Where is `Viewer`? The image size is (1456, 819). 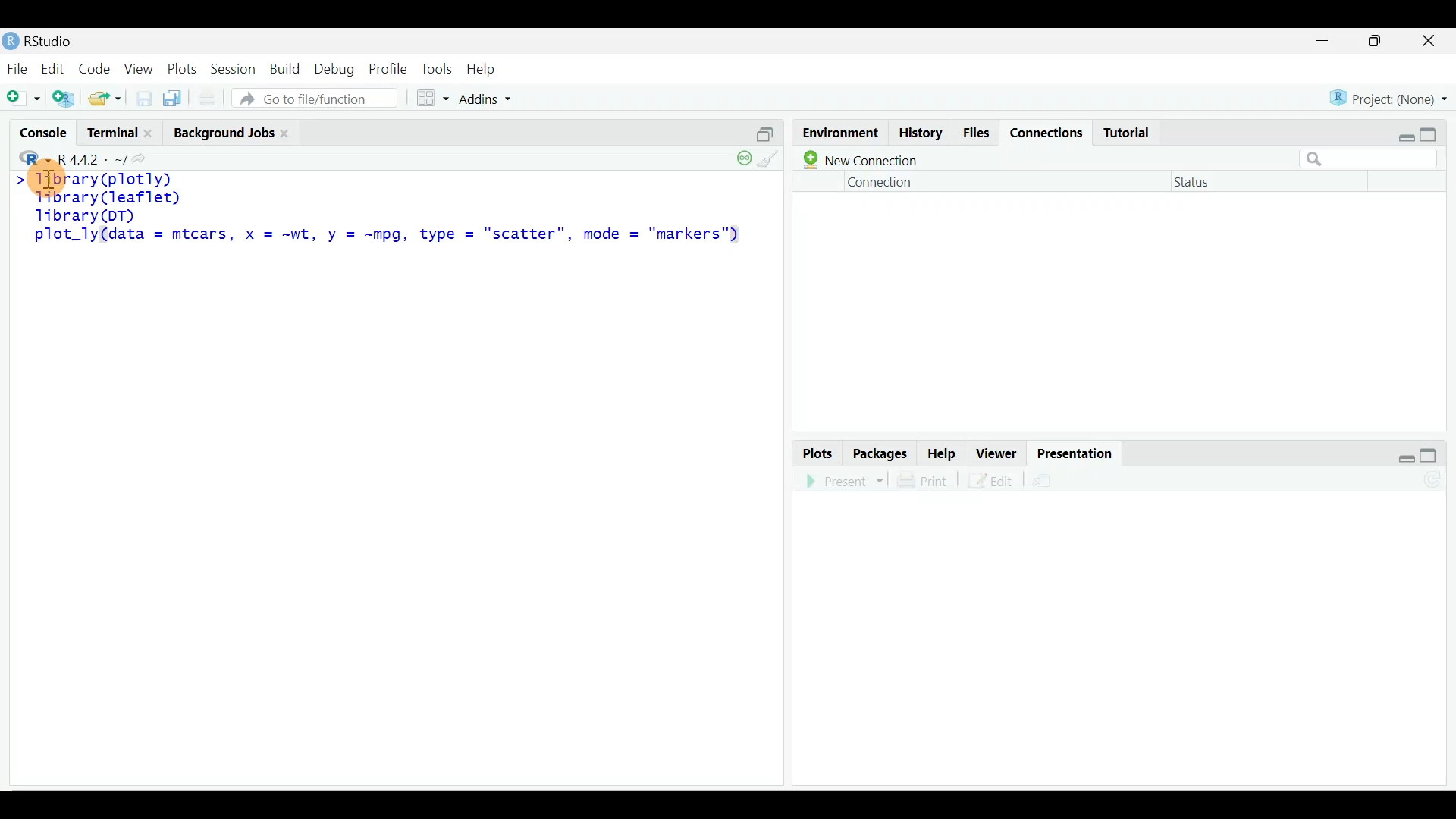
Viewer is located at coordinates (998, 452).